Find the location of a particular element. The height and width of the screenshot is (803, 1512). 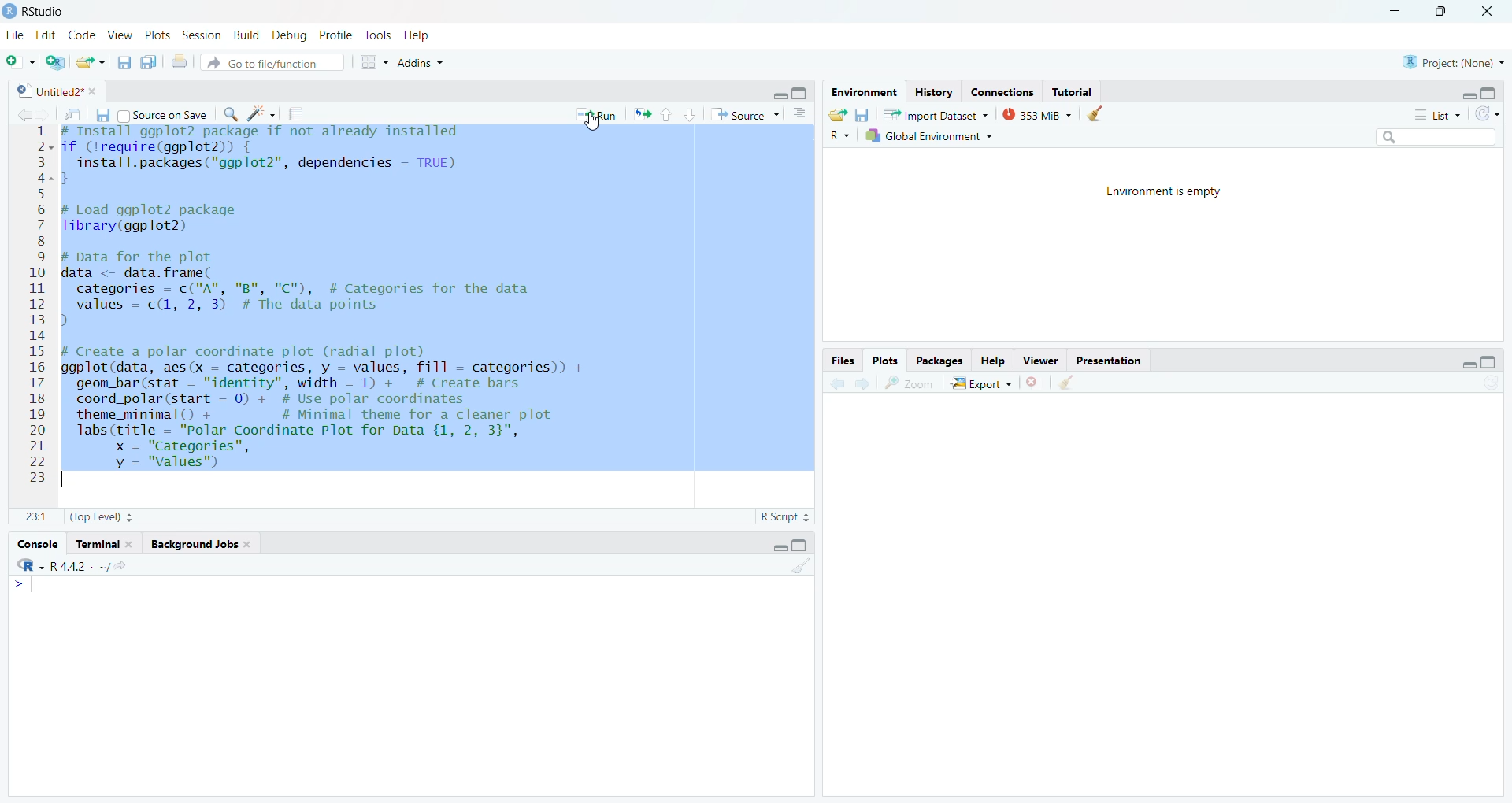

new file is located at coordinates (19, 62).